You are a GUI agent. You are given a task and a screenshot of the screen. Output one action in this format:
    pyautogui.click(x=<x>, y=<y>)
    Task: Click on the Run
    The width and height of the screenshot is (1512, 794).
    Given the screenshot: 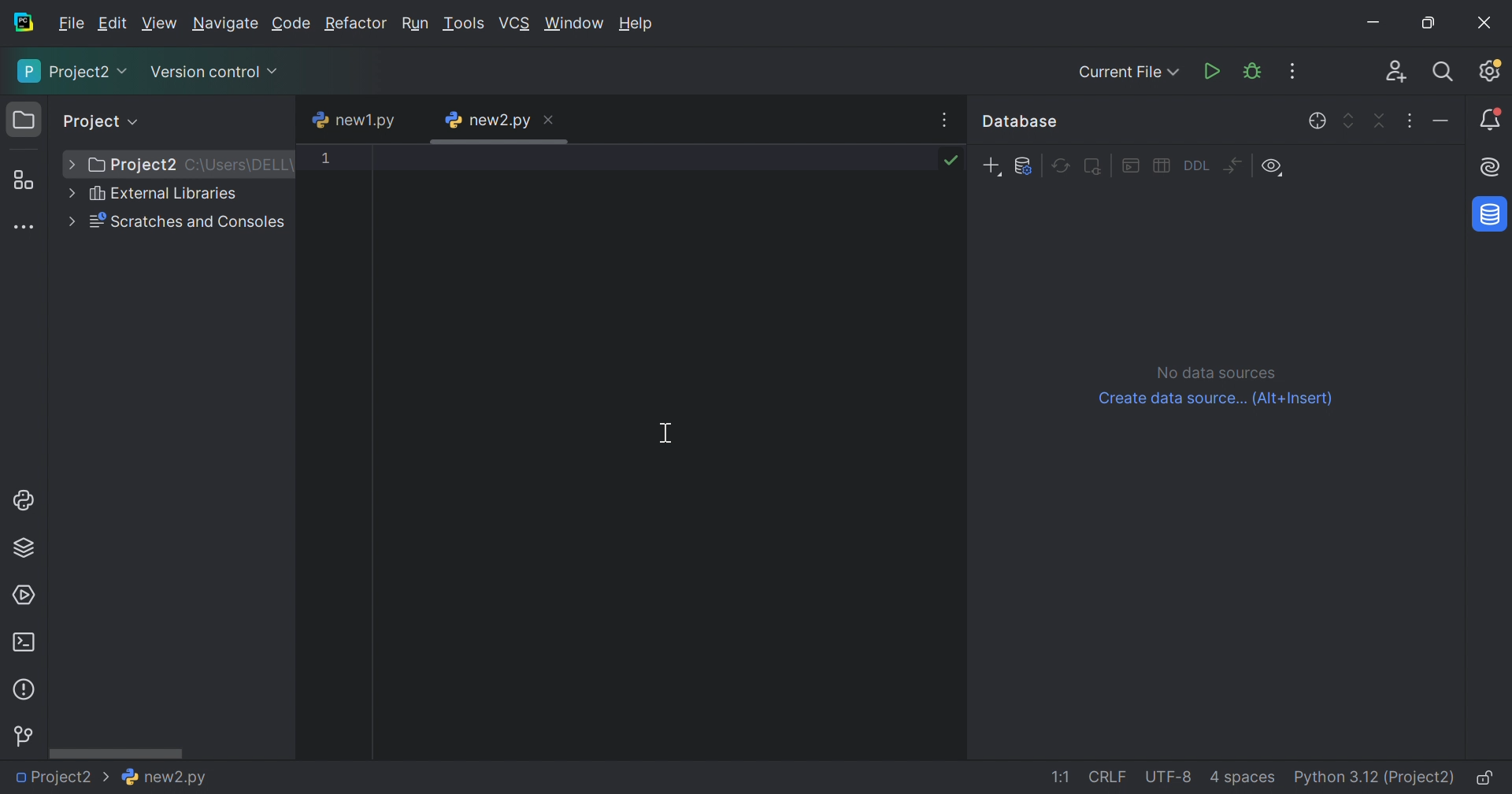 What is the action you would take?
    pyautogui.click(x=416, y=26)
    